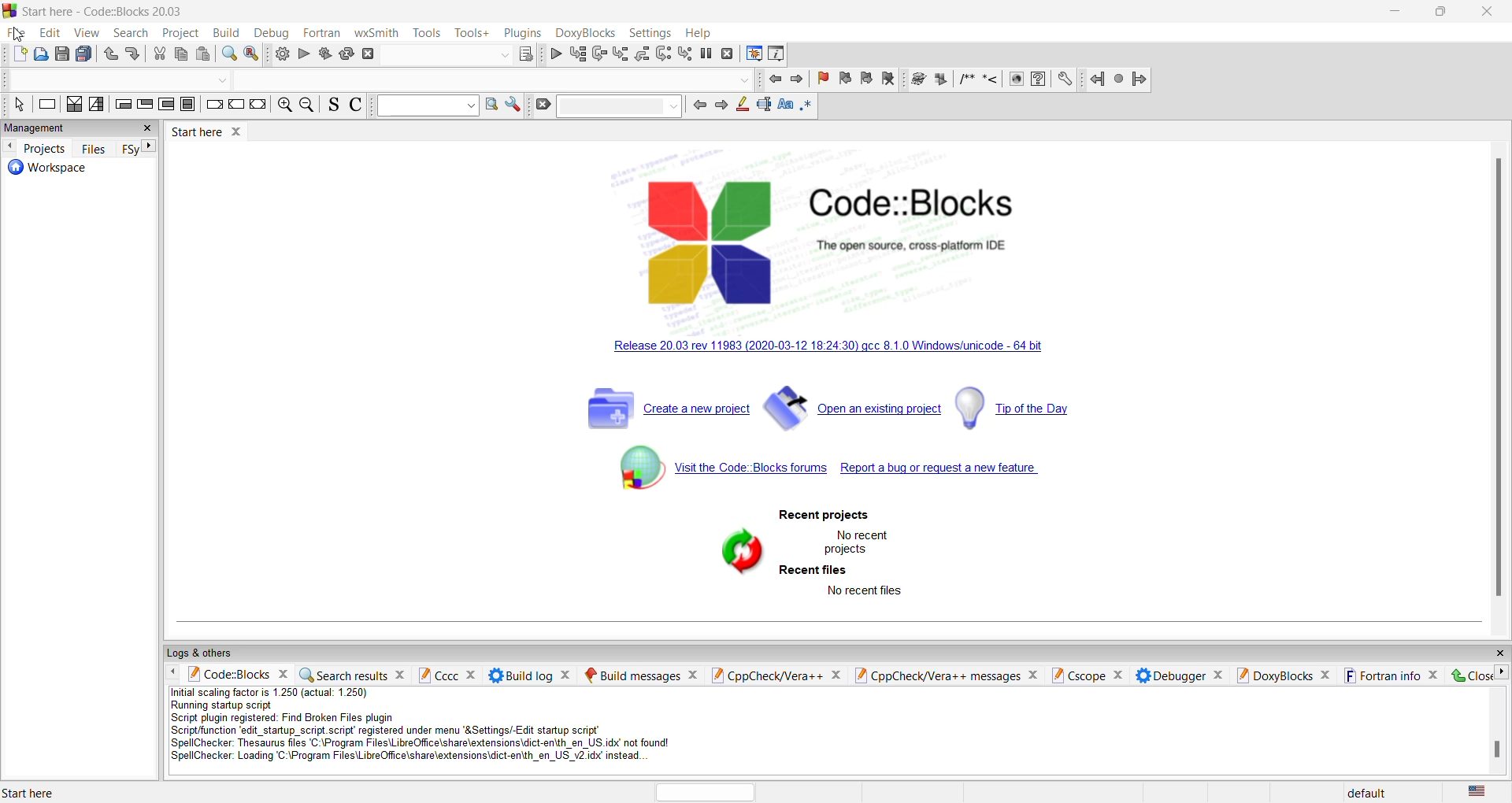  I want to click on cscope, so click(1077, 676).